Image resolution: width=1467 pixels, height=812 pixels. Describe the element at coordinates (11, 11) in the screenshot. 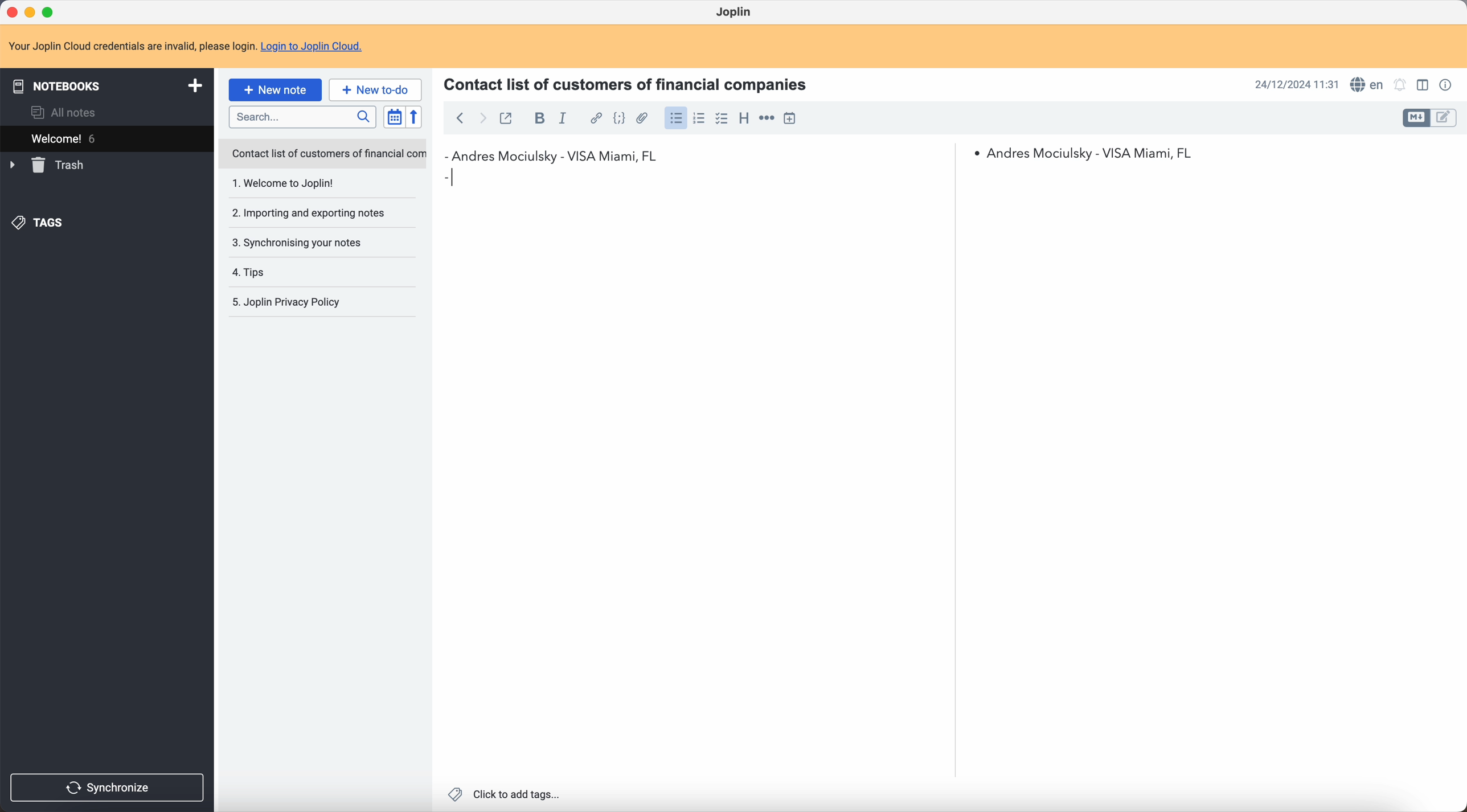

I see `close Joplin` at that location.